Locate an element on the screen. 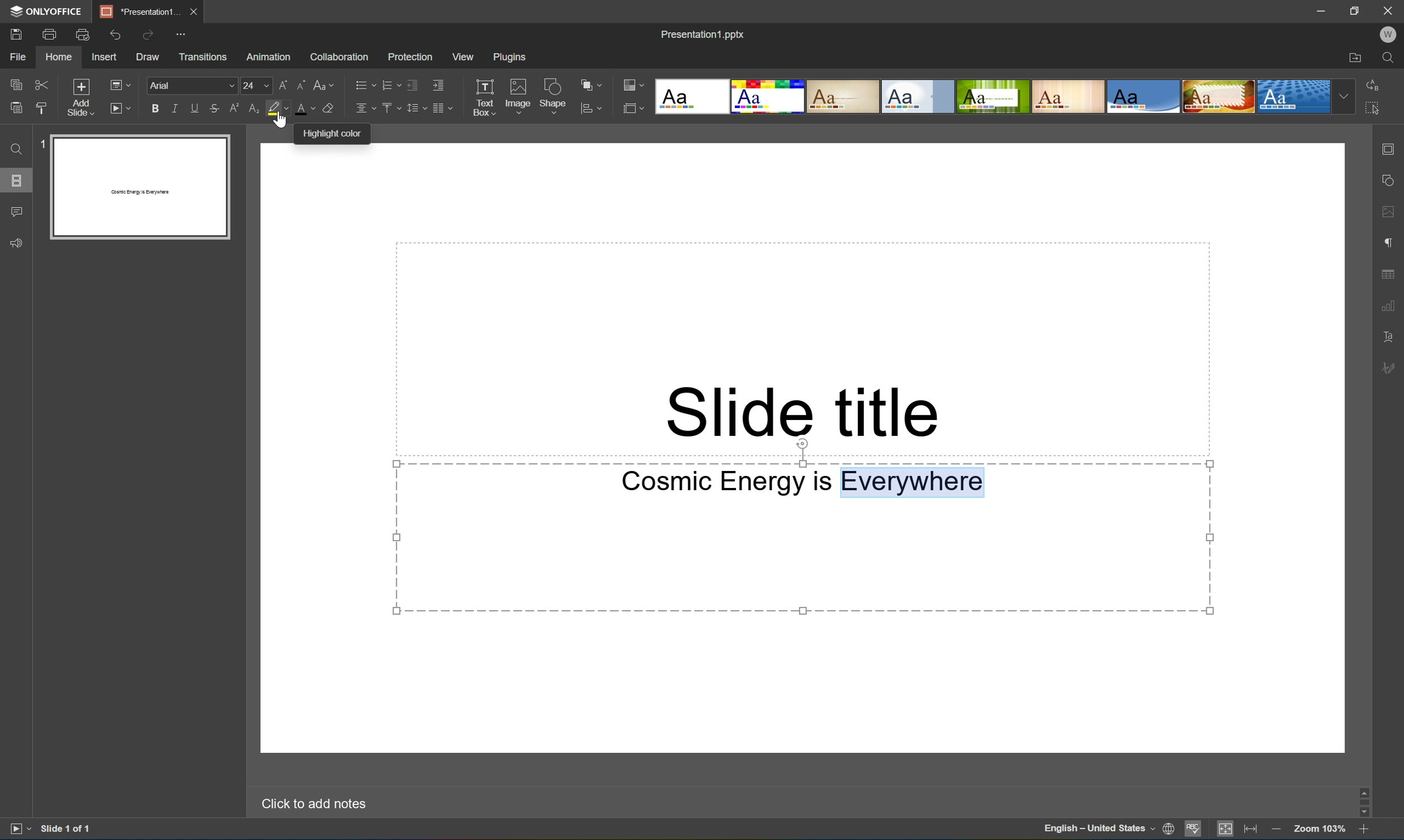 The image size is (1404, 840). Zoom Out is located at coordinates (1275, 829).